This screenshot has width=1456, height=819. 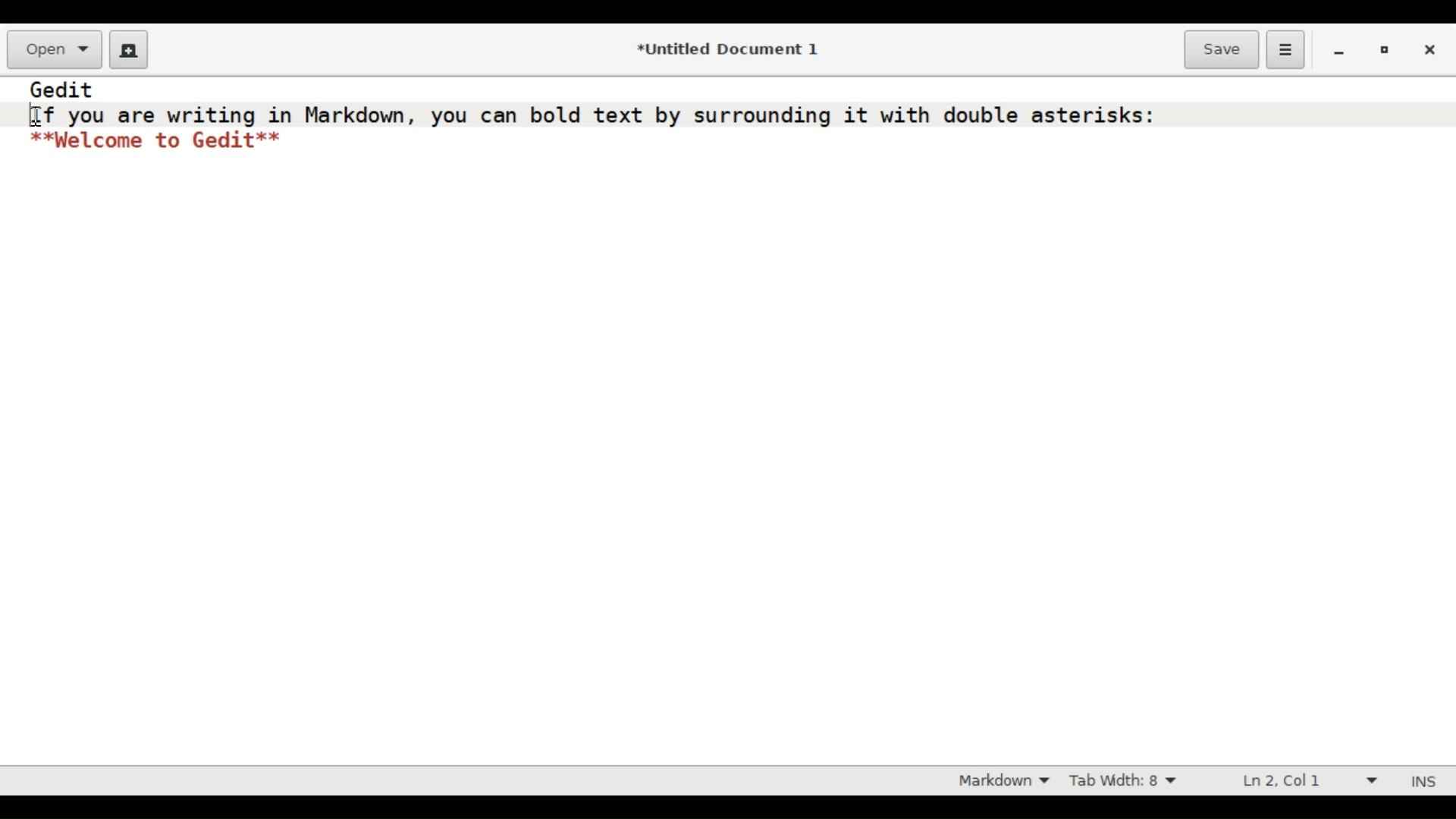 What do you see at coordinates (37, 117) in the screenshot?
I see `cursor` at bounding box center [37, 117].